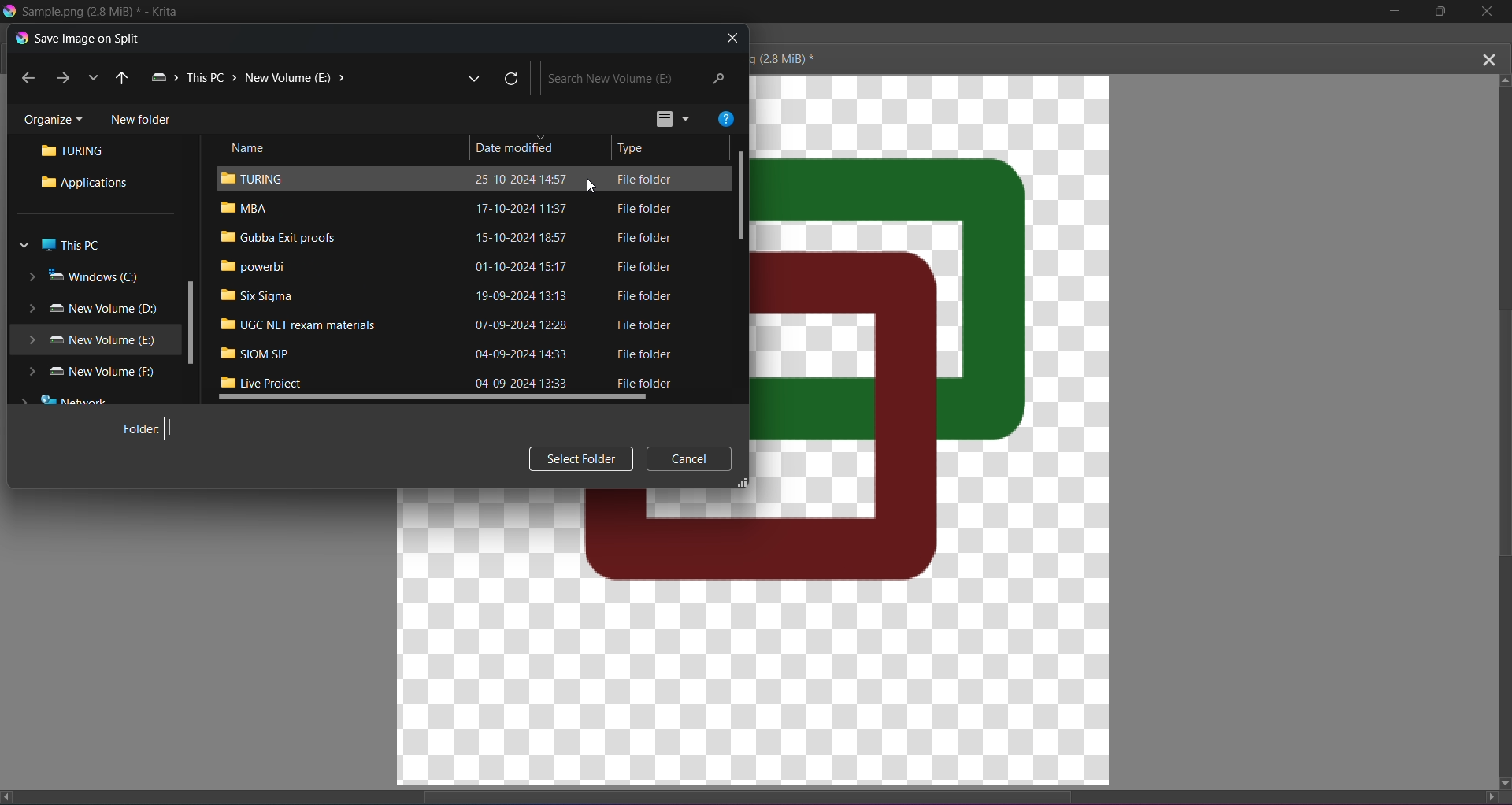 The image size is (1512, 805). Describe the element at coordinates (122, 76) in the screenshot. I see `Back` at that location.